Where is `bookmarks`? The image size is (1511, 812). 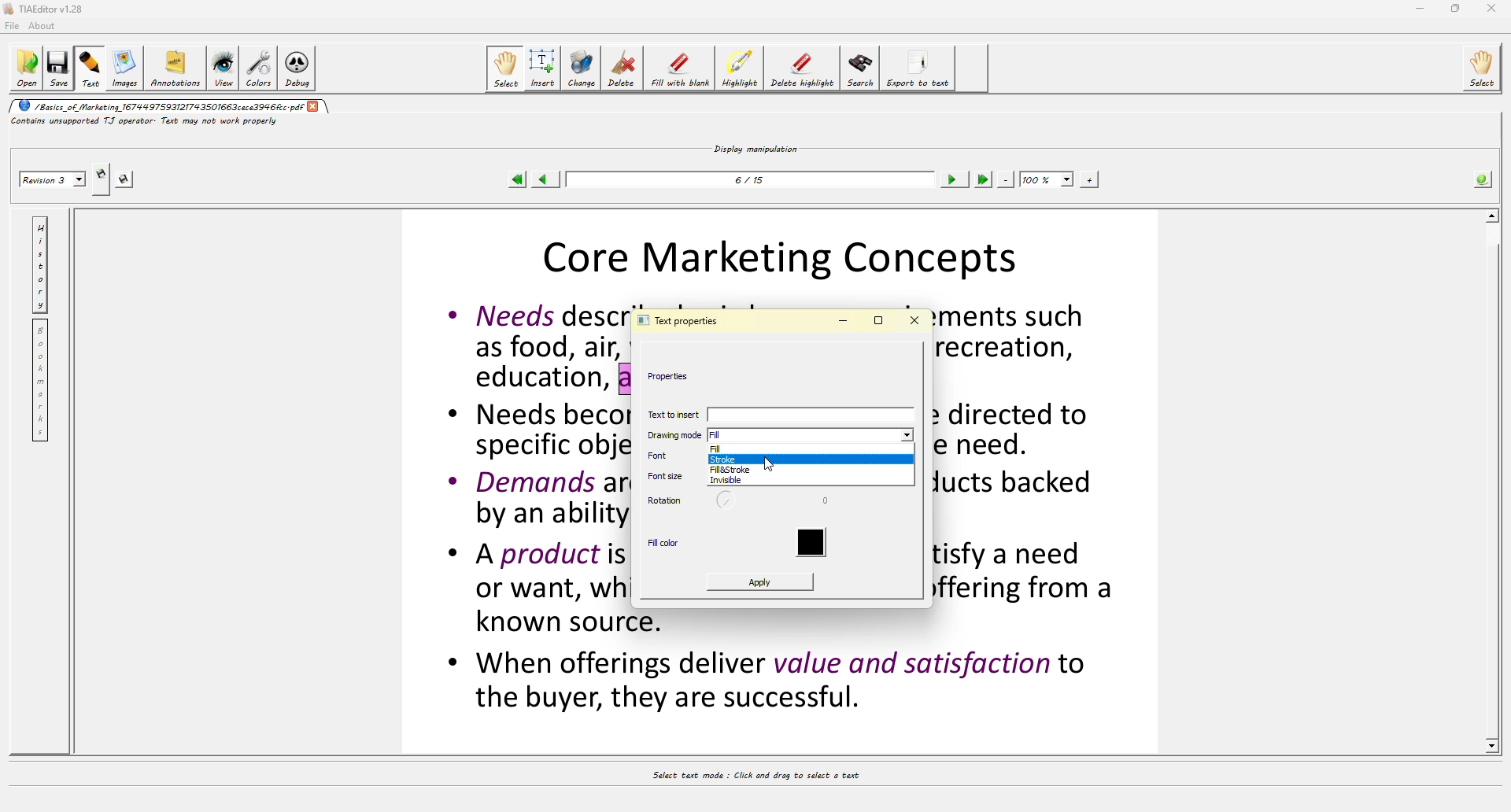 bookmarks is located at coordinates (41, 381).